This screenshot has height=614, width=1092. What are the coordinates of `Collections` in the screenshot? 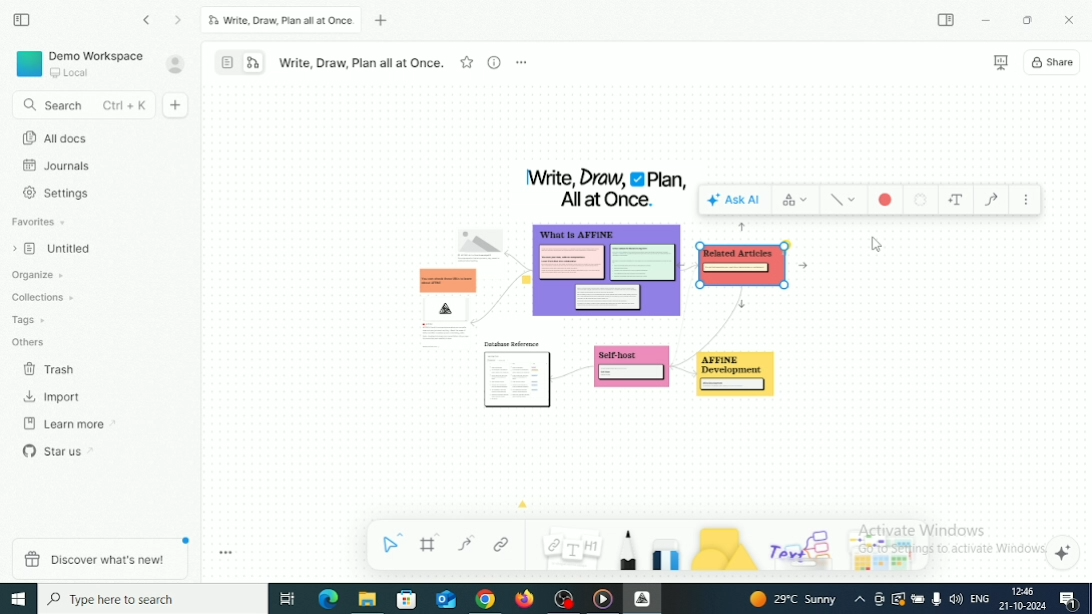 It's located at (44, 296).